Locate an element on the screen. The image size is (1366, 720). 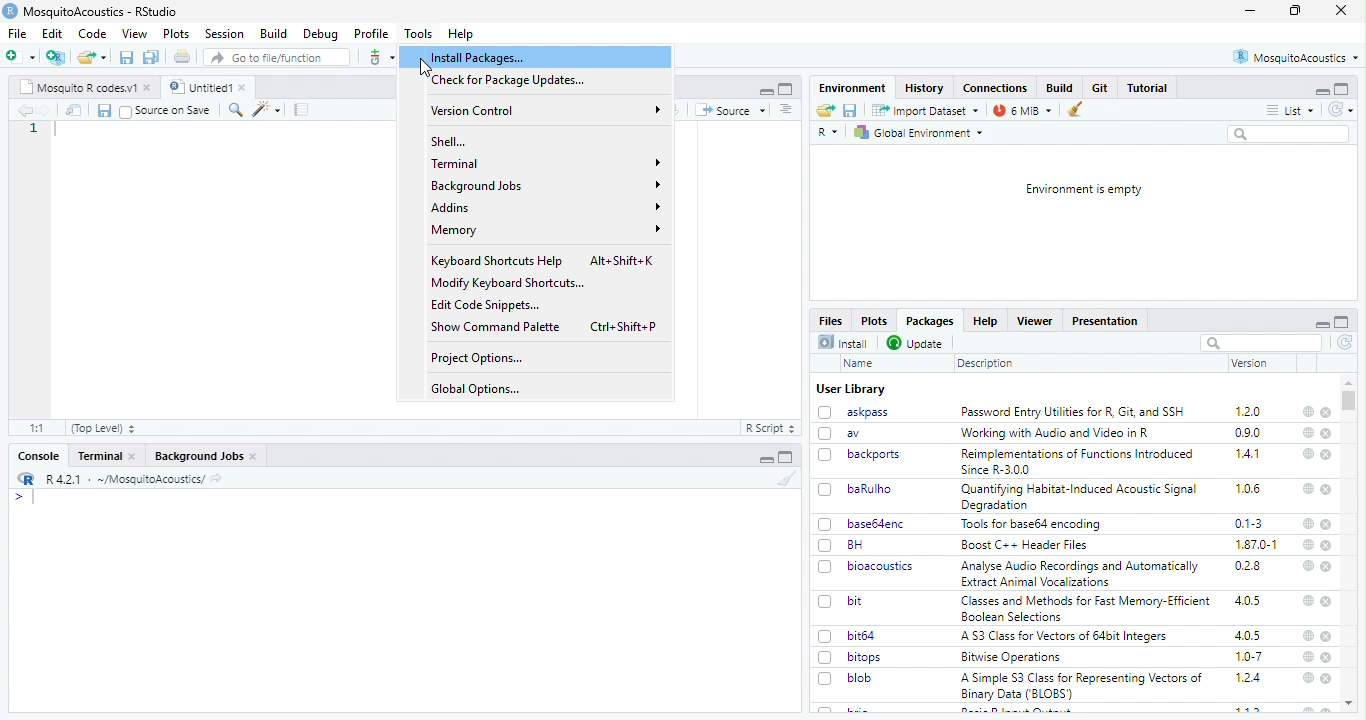
close is located at coordinates (1328, 567).